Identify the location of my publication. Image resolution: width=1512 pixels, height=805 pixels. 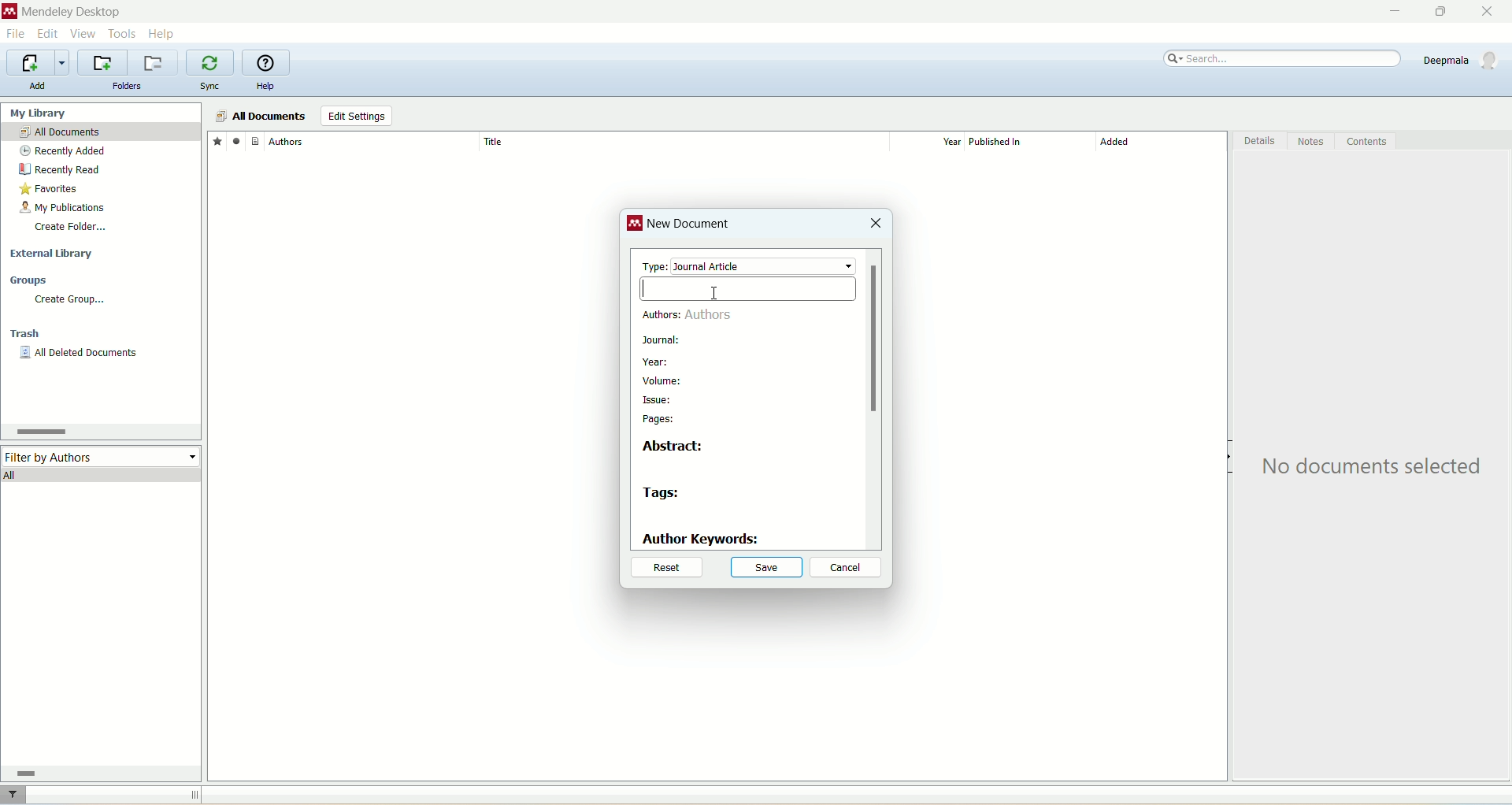
(65, 209).